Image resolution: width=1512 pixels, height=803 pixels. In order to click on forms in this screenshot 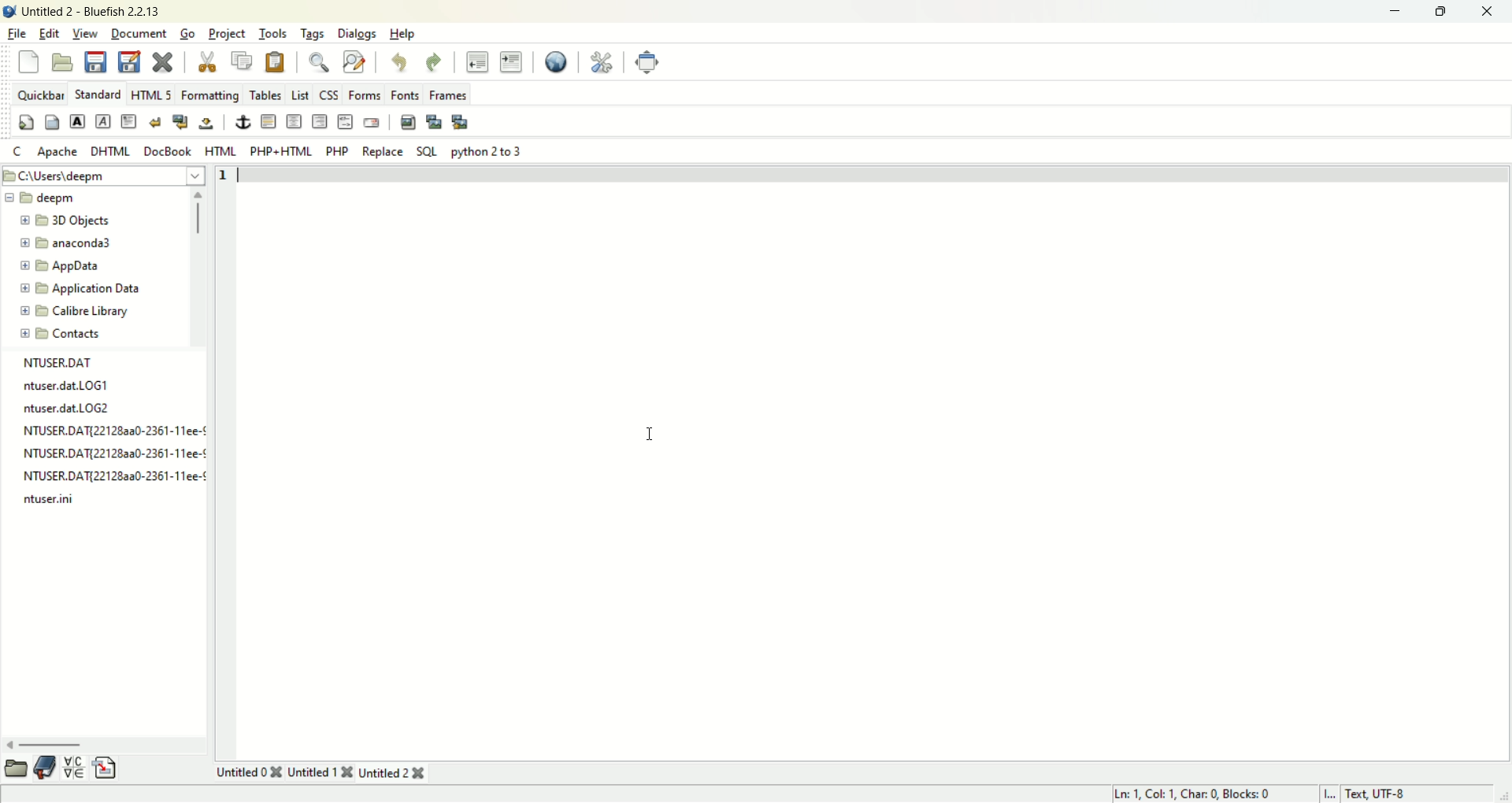, I will do `click(365, 96)`.